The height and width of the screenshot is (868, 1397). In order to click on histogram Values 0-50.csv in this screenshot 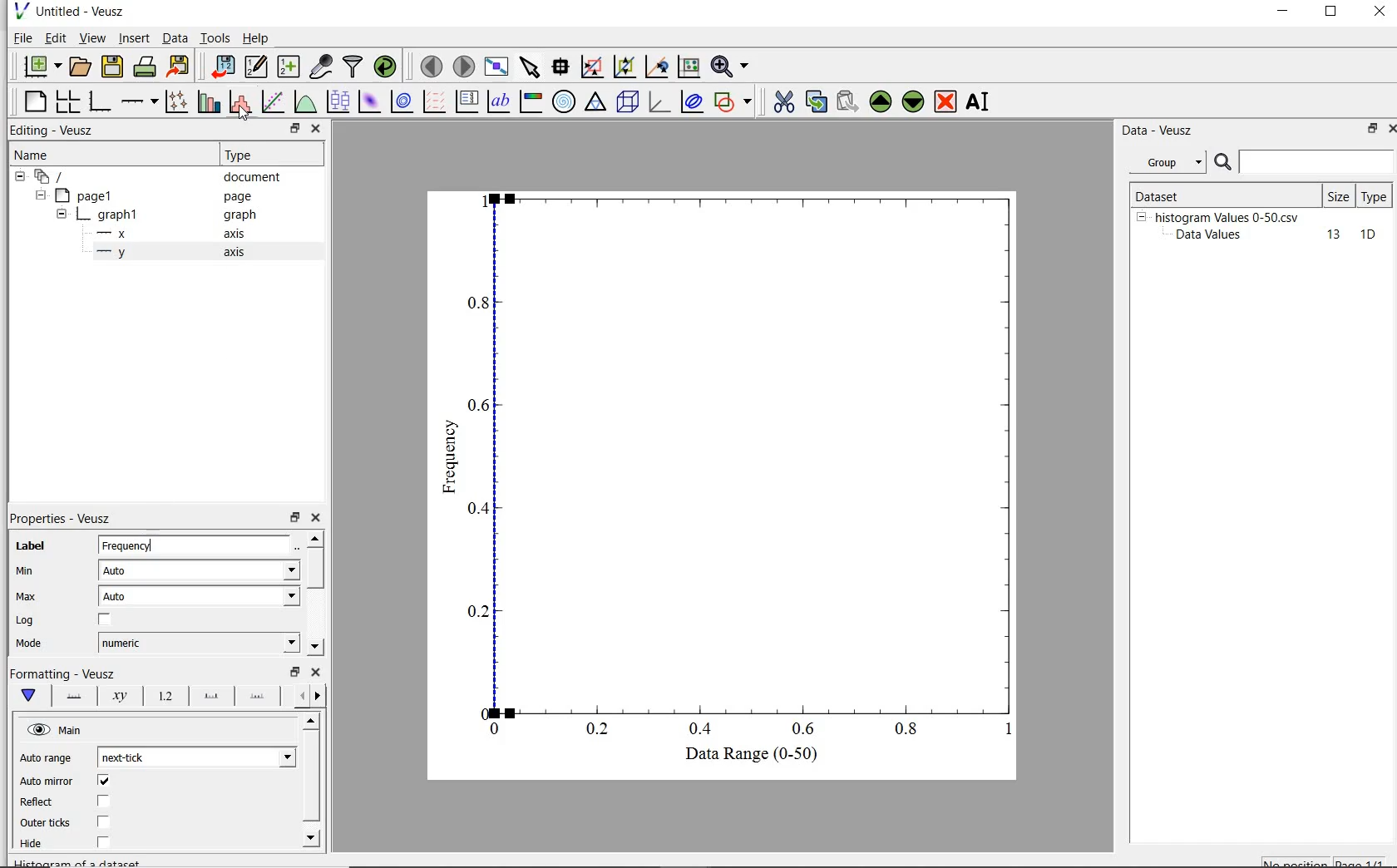, I will do `click(1227, 216)`.